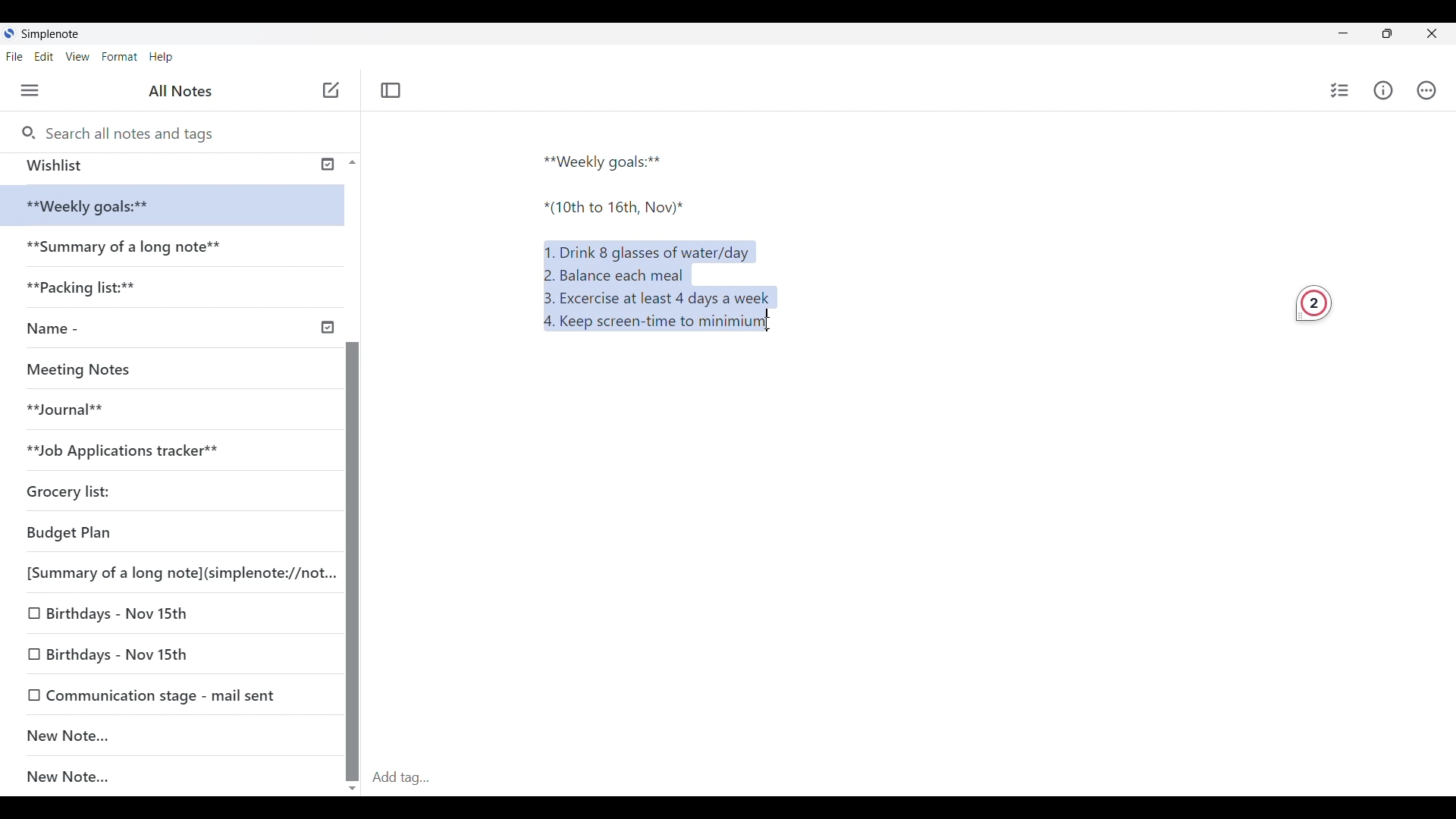  I want to click on Grammarly assist bubble, so click(1307, 301).